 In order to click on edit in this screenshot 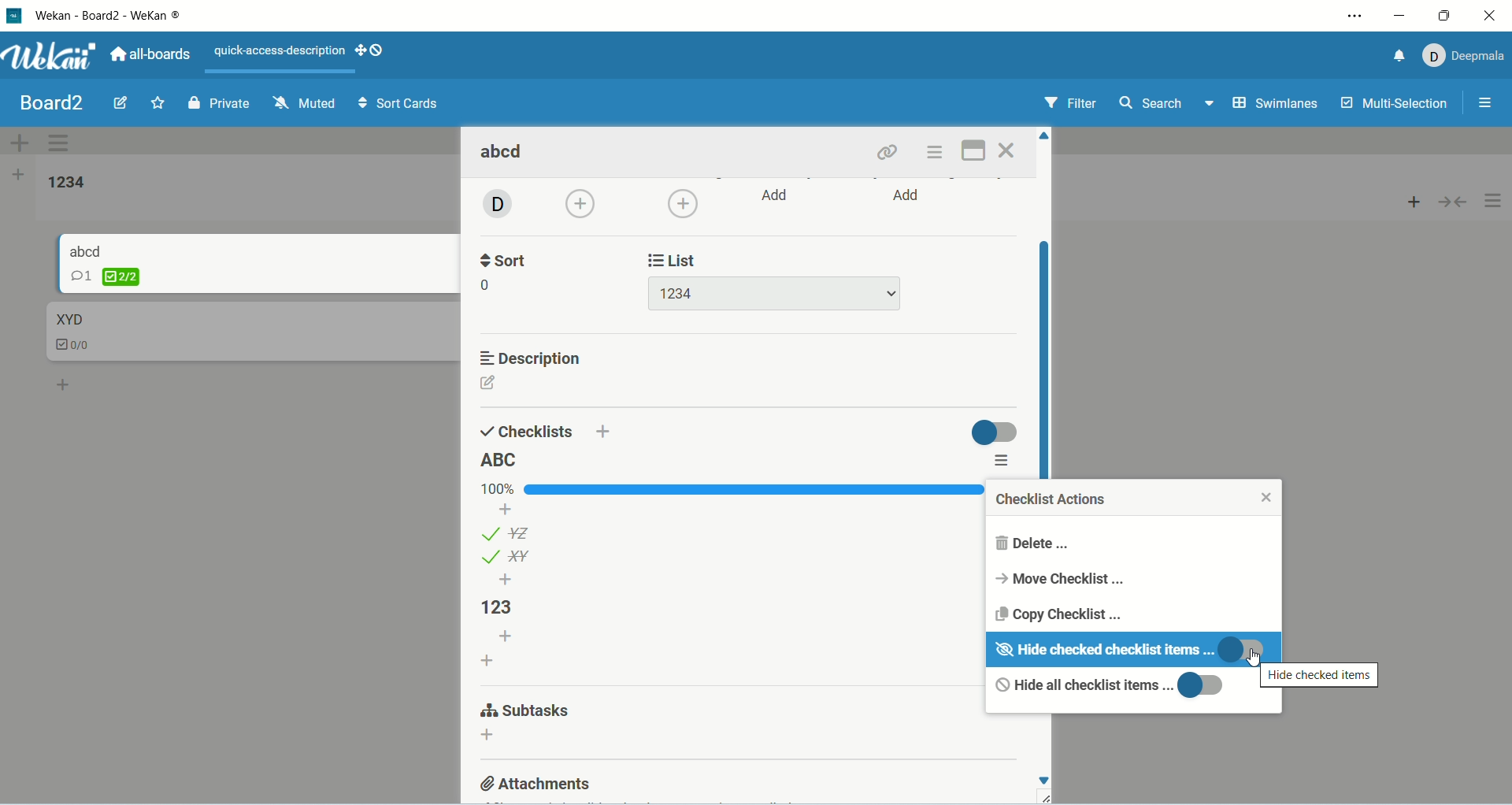, I will do `click(120, 102)`.